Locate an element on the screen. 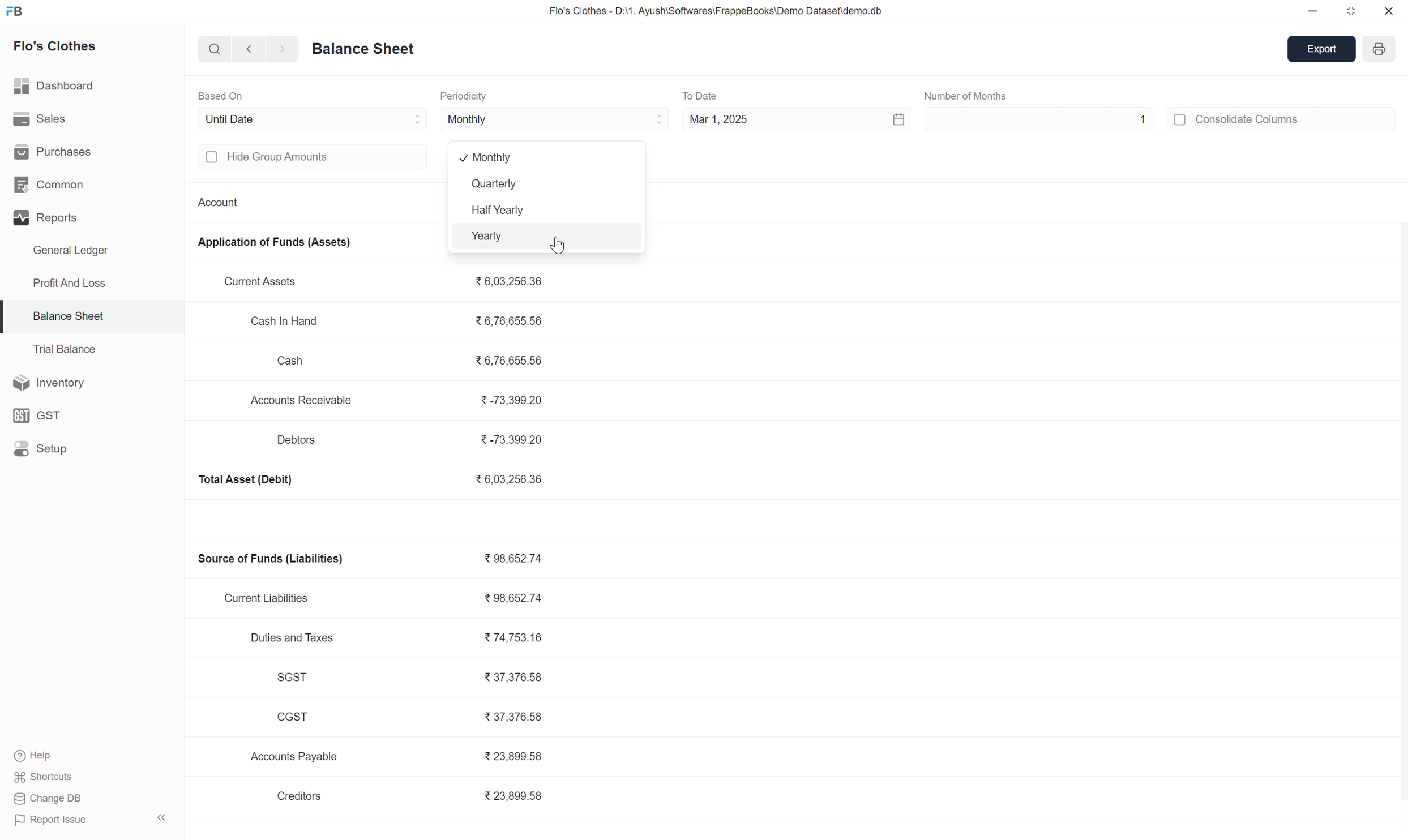 The image size is (1408, 840). 98,652.74 is located at coordinates (516, 559).